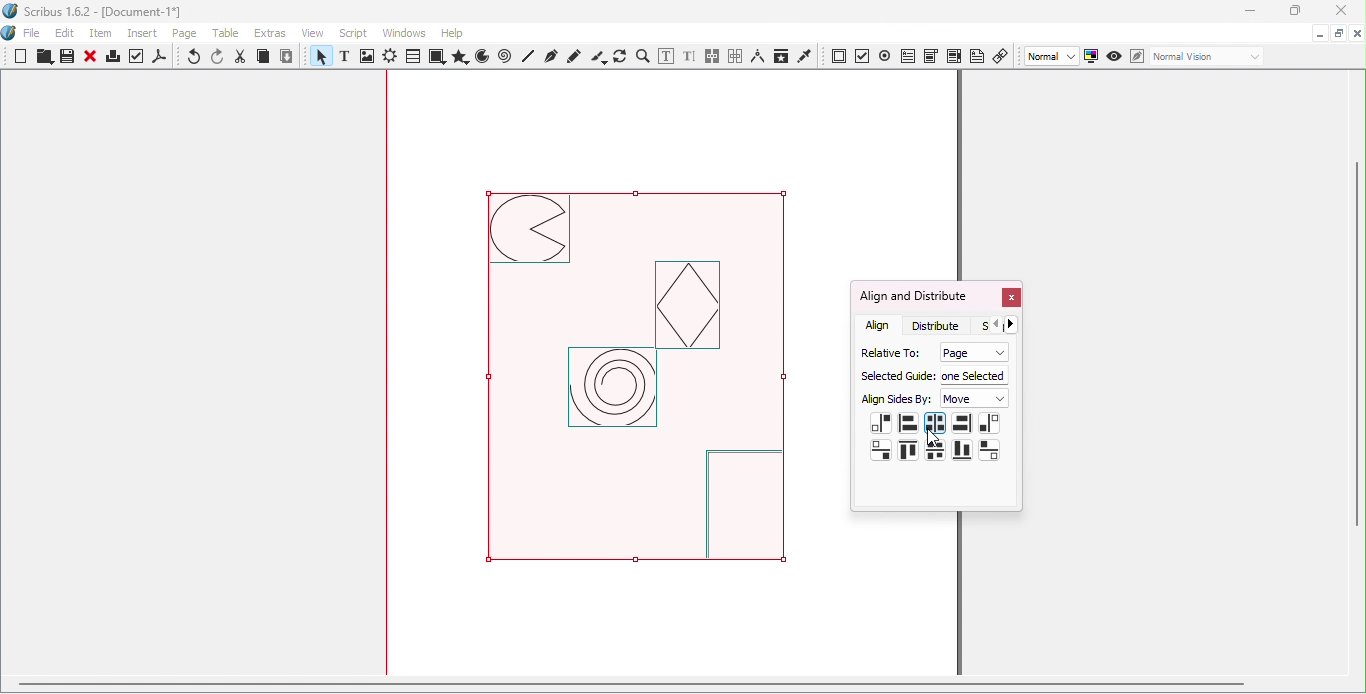  Describe the element at coordinates (913, 296) in the screenshot. I see `Align and Distribute` at that location.